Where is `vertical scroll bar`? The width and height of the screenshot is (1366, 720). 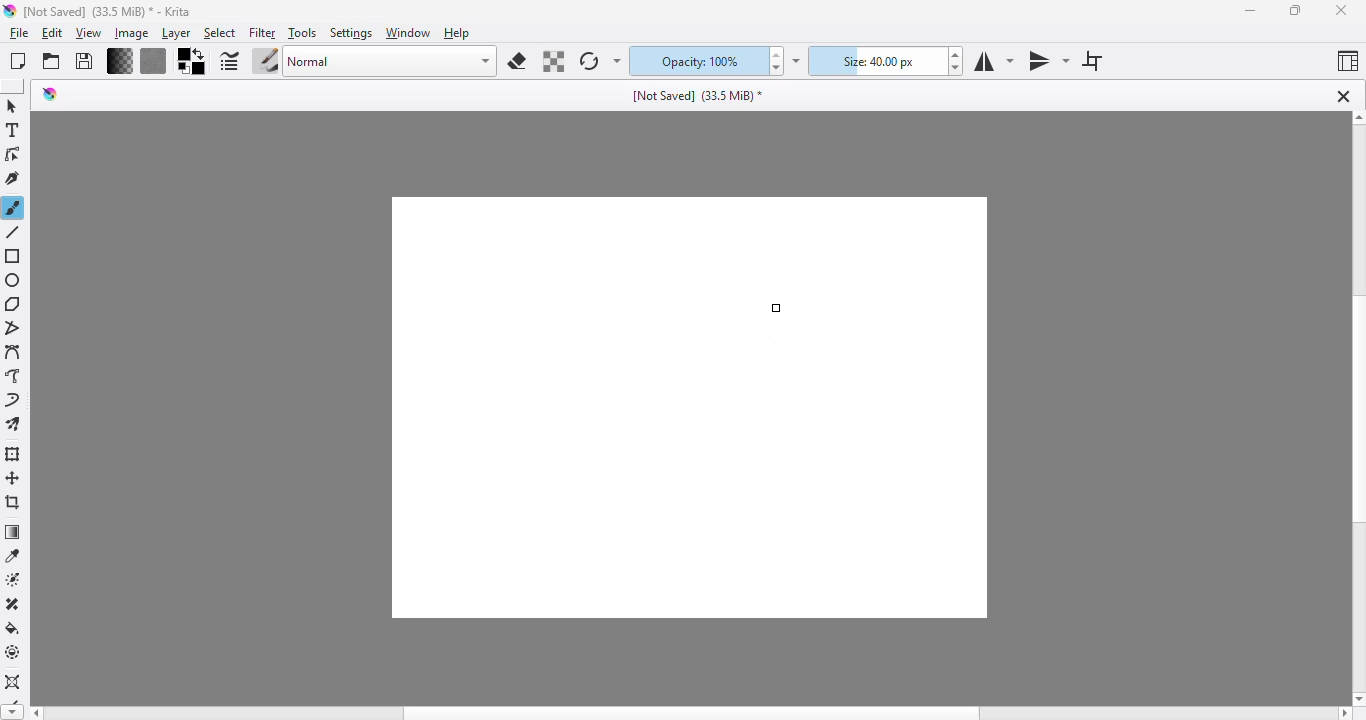
vertical scroll bar is located at coordinates (1357, 411).